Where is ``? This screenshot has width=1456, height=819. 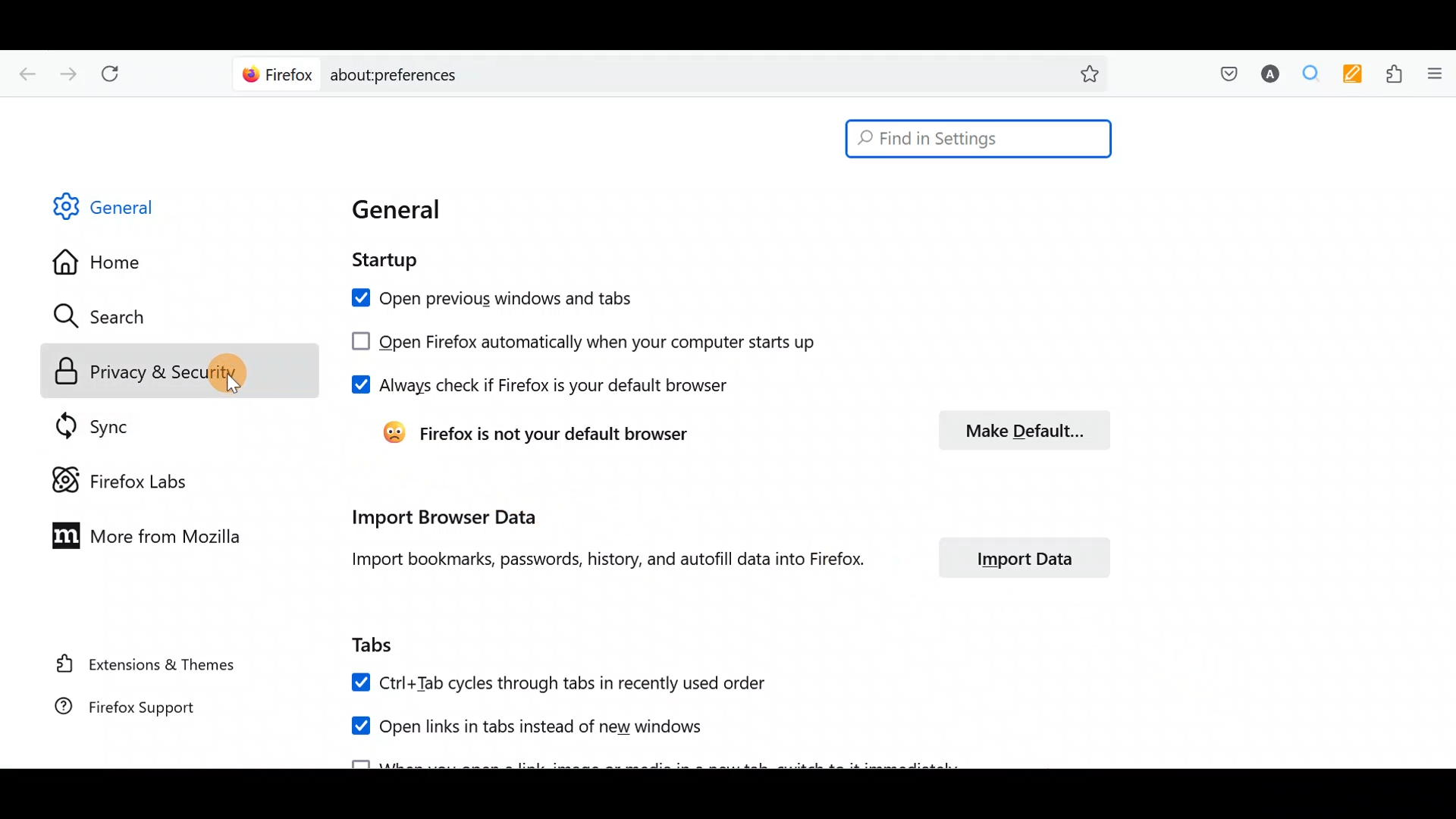
 is located at coordinates (550, 385).